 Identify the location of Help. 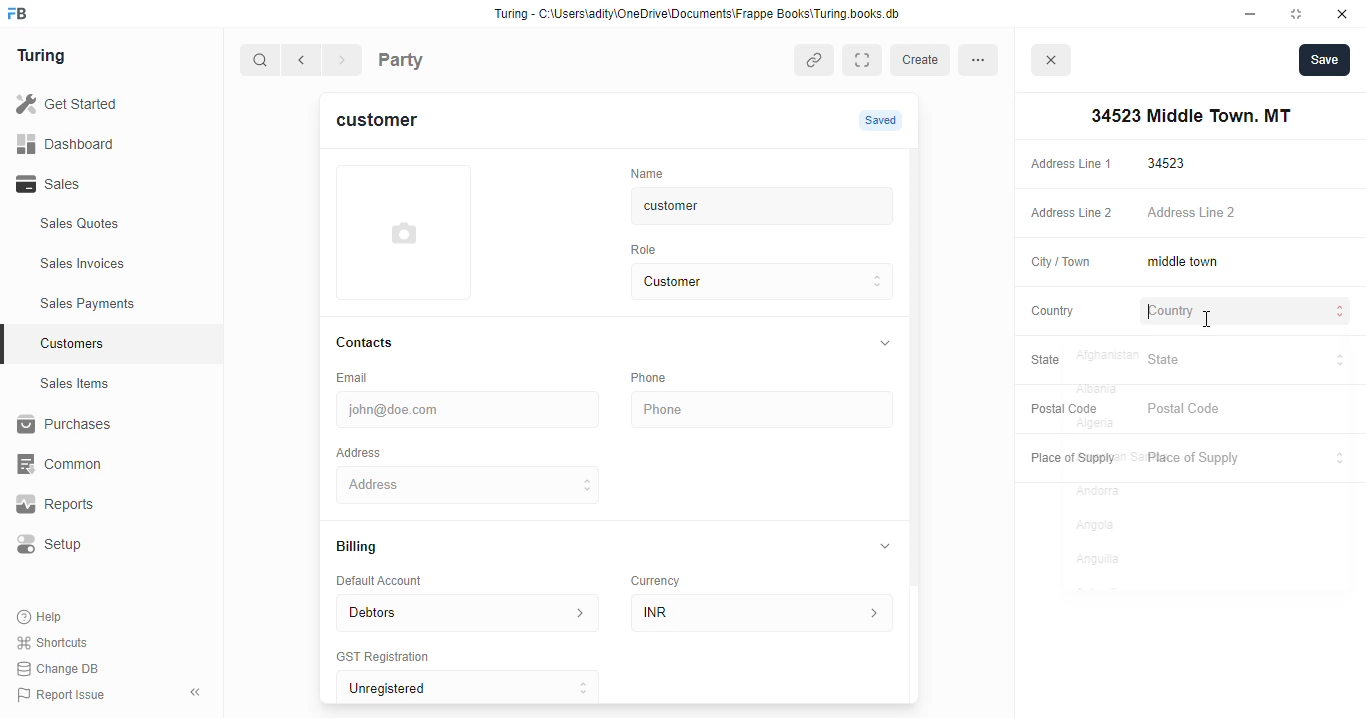
(42, 618).